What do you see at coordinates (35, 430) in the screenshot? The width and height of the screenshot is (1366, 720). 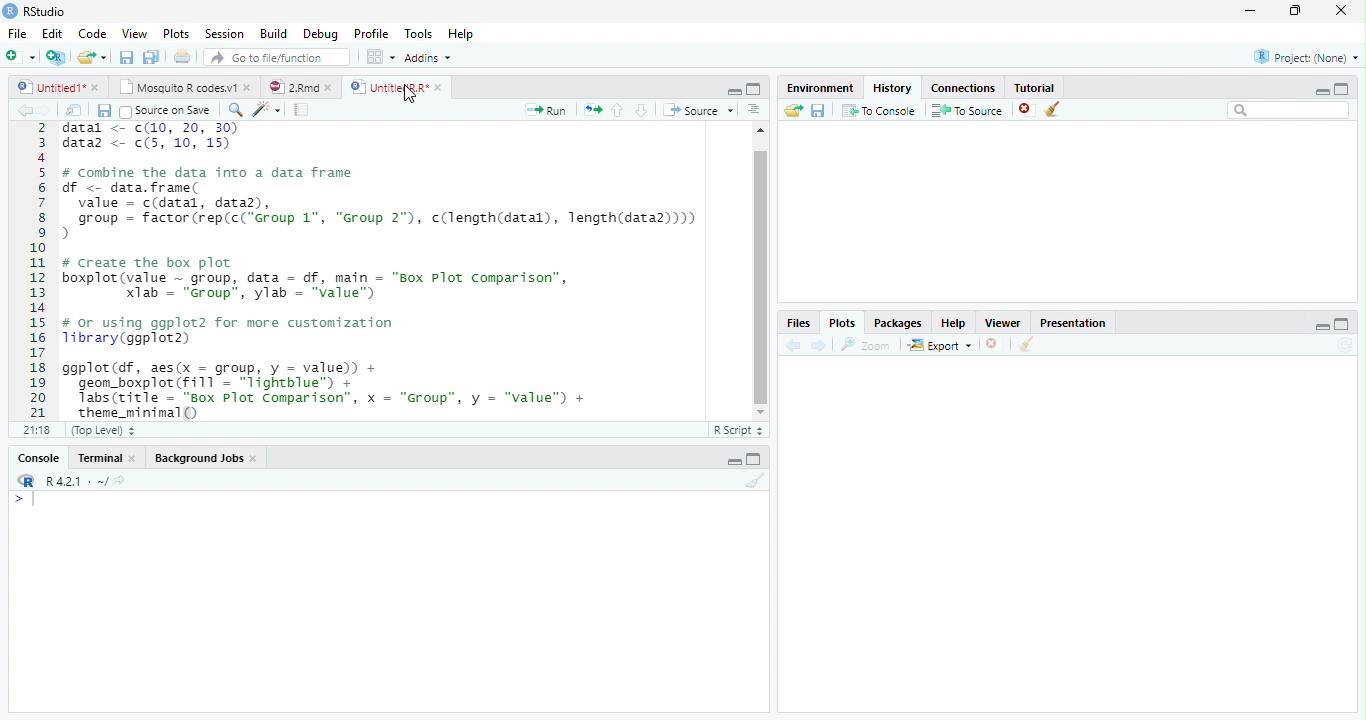 I see `1:1` at bounding box center [35, 430].